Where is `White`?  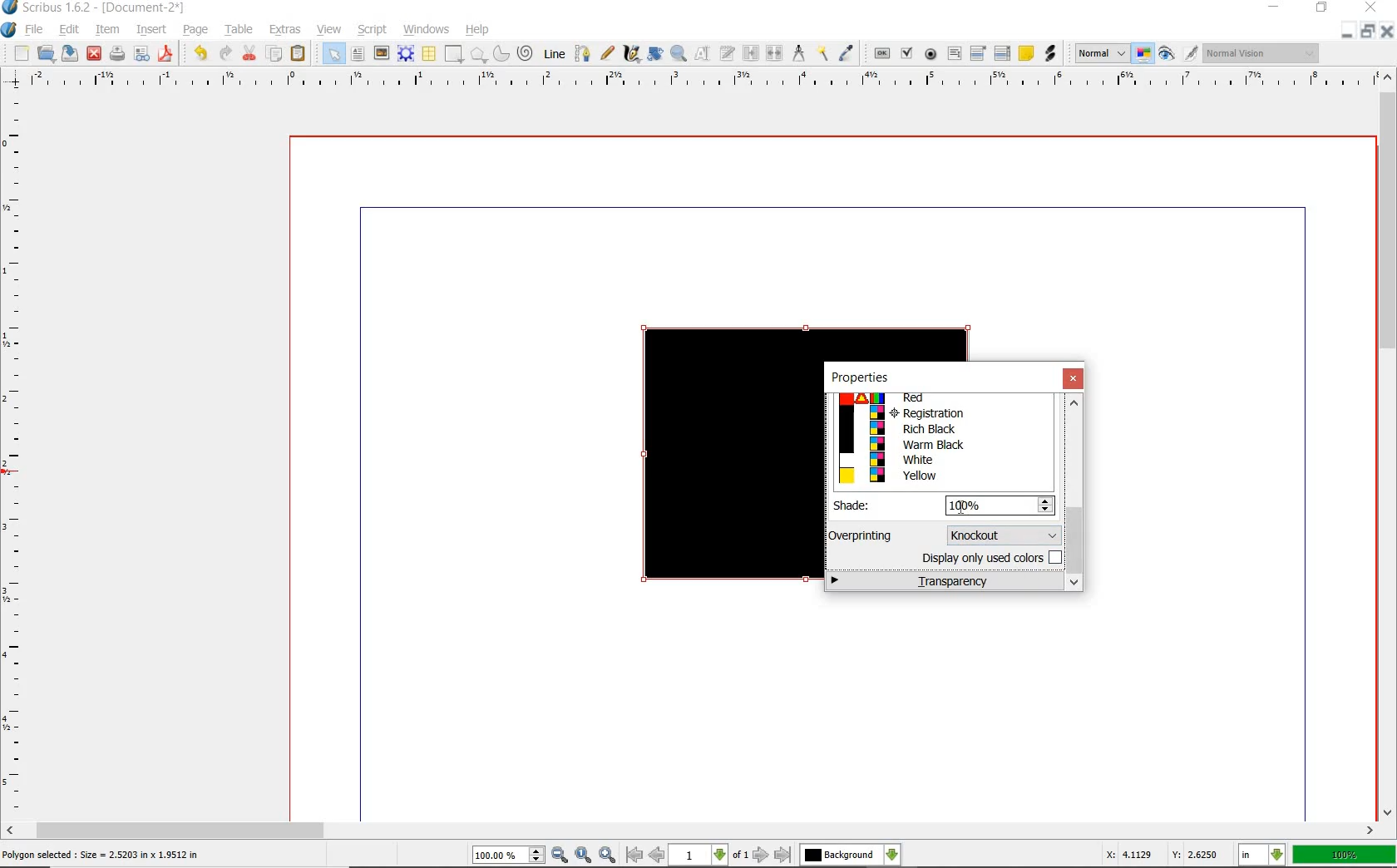 White is located at coordinates (940, 459).